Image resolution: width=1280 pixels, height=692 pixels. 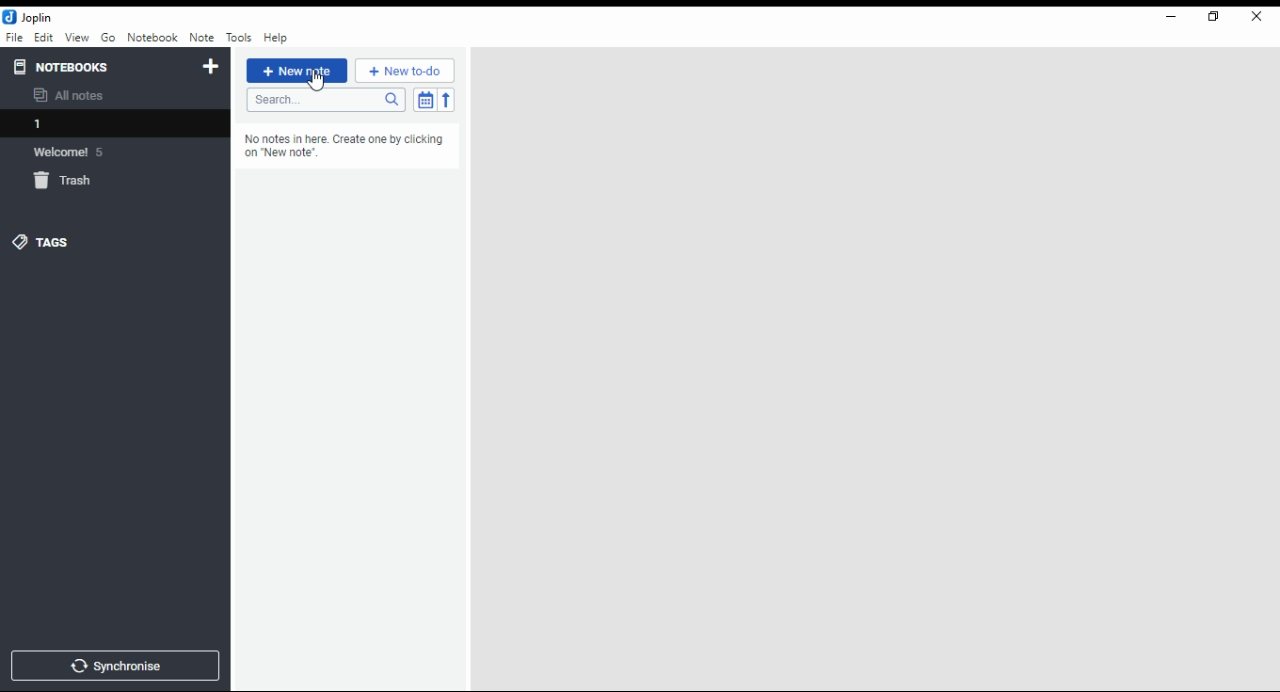 What do you see at coordinates (14, 37) in the screenshot?
I see `file` at bounding box center [14, 37].